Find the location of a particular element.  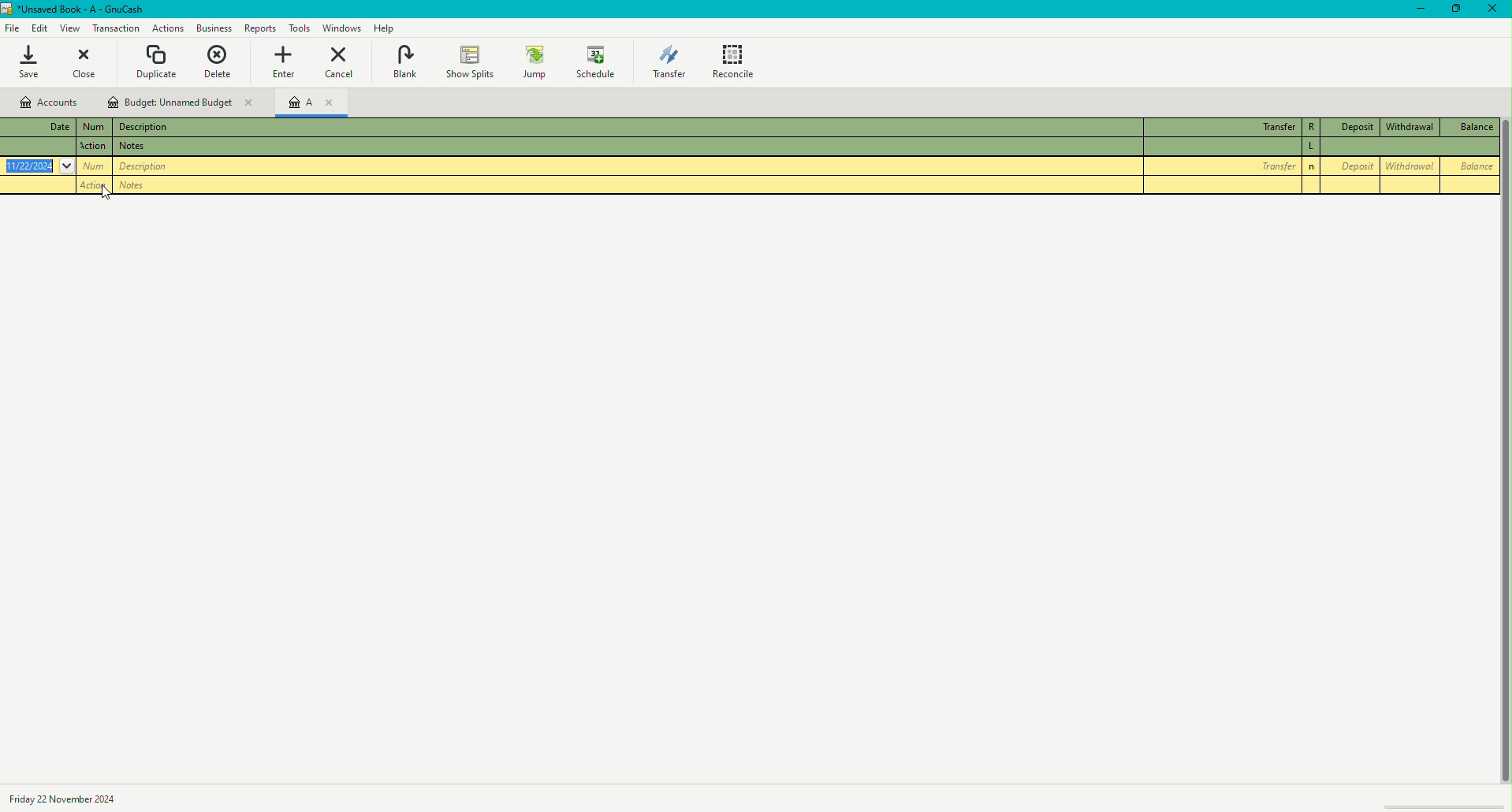

Schedule is located at coordinates (597, 61).